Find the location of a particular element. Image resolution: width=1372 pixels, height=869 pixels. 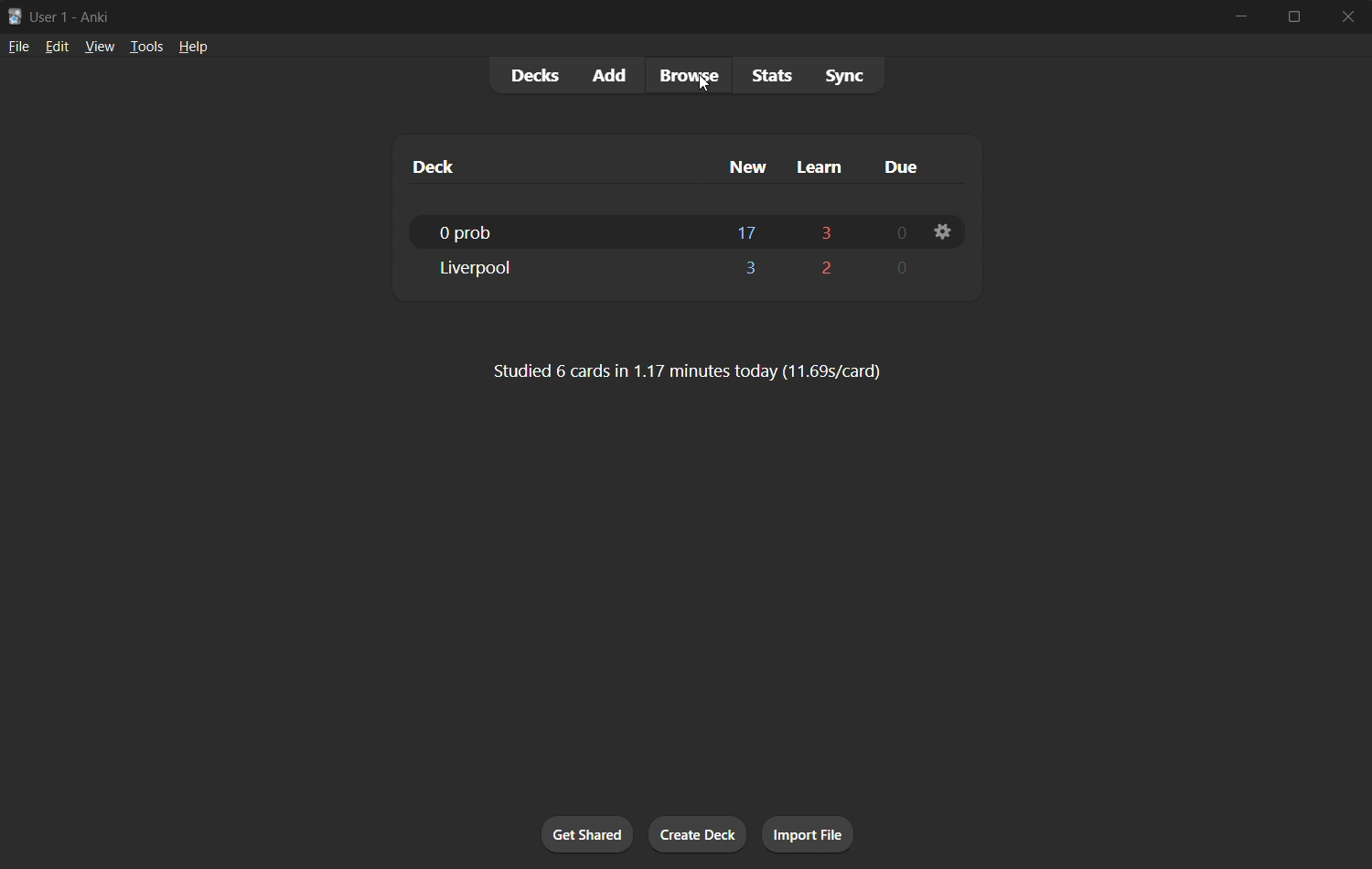

3 is located at coordinates (827, 231).